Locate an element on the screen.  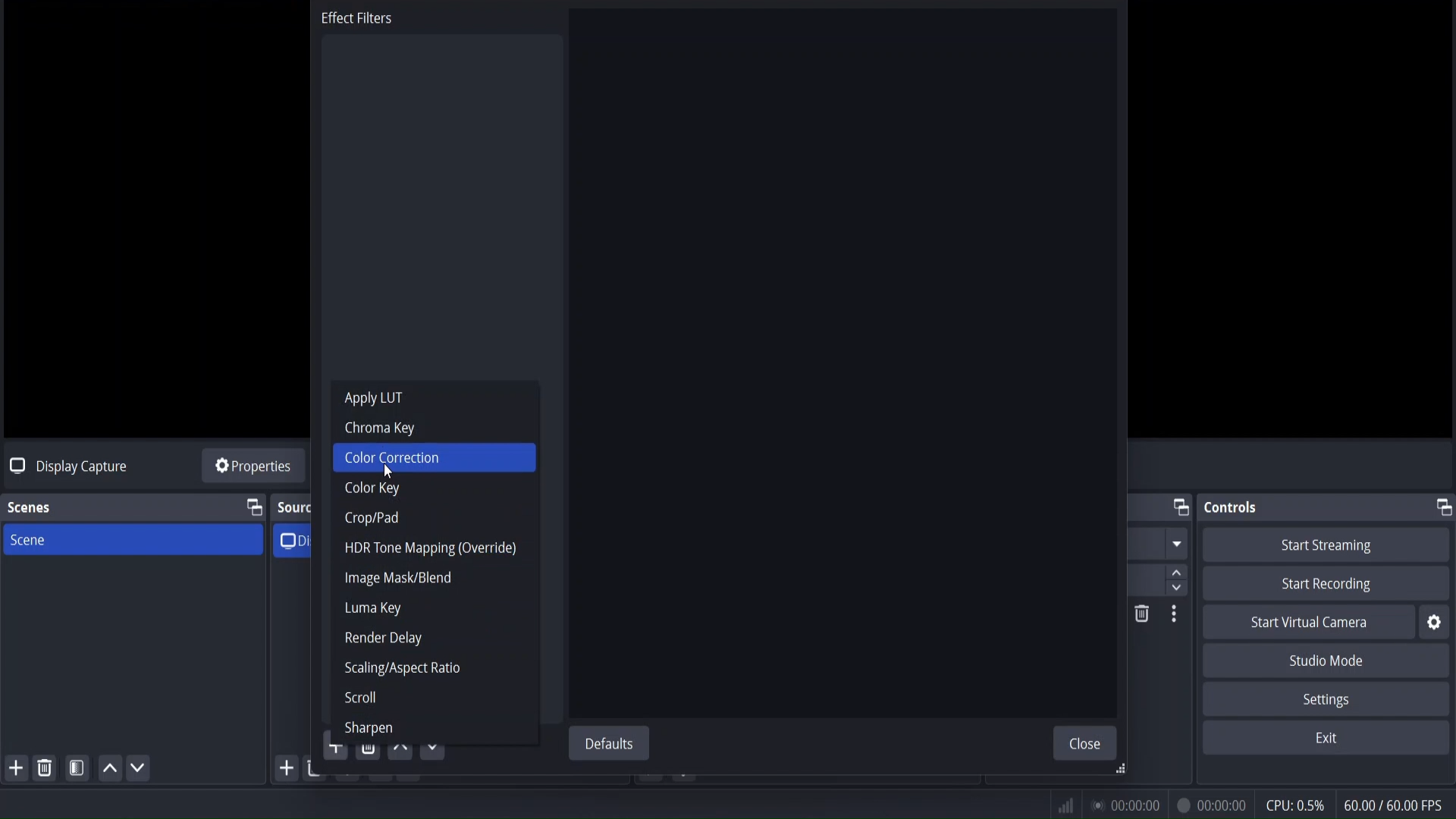
color key is located at coordinates (373, 491).